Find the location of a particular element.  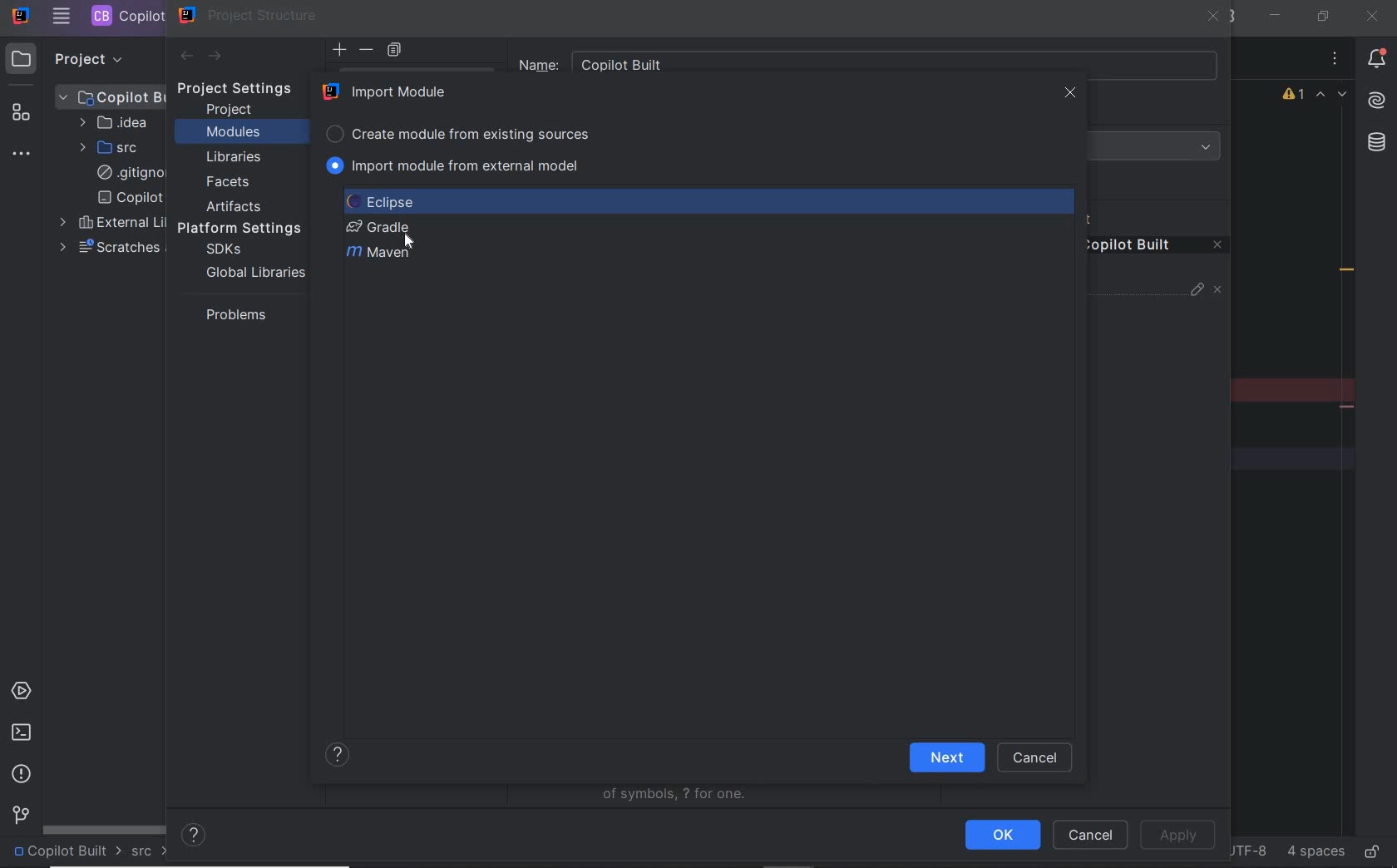

database is located at coordinates (1375, 145).